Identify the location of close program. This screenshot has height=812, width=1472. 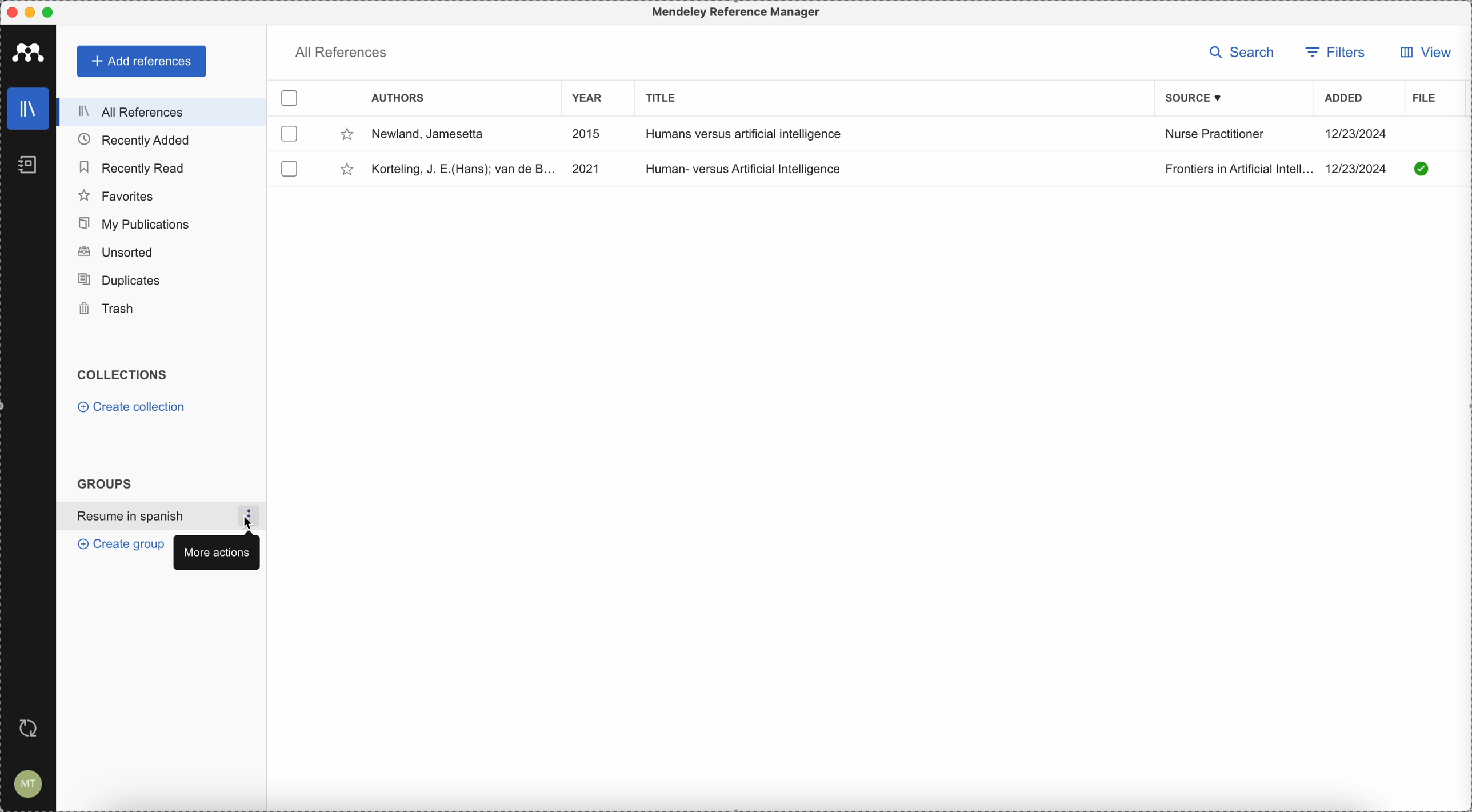
(9, 10).